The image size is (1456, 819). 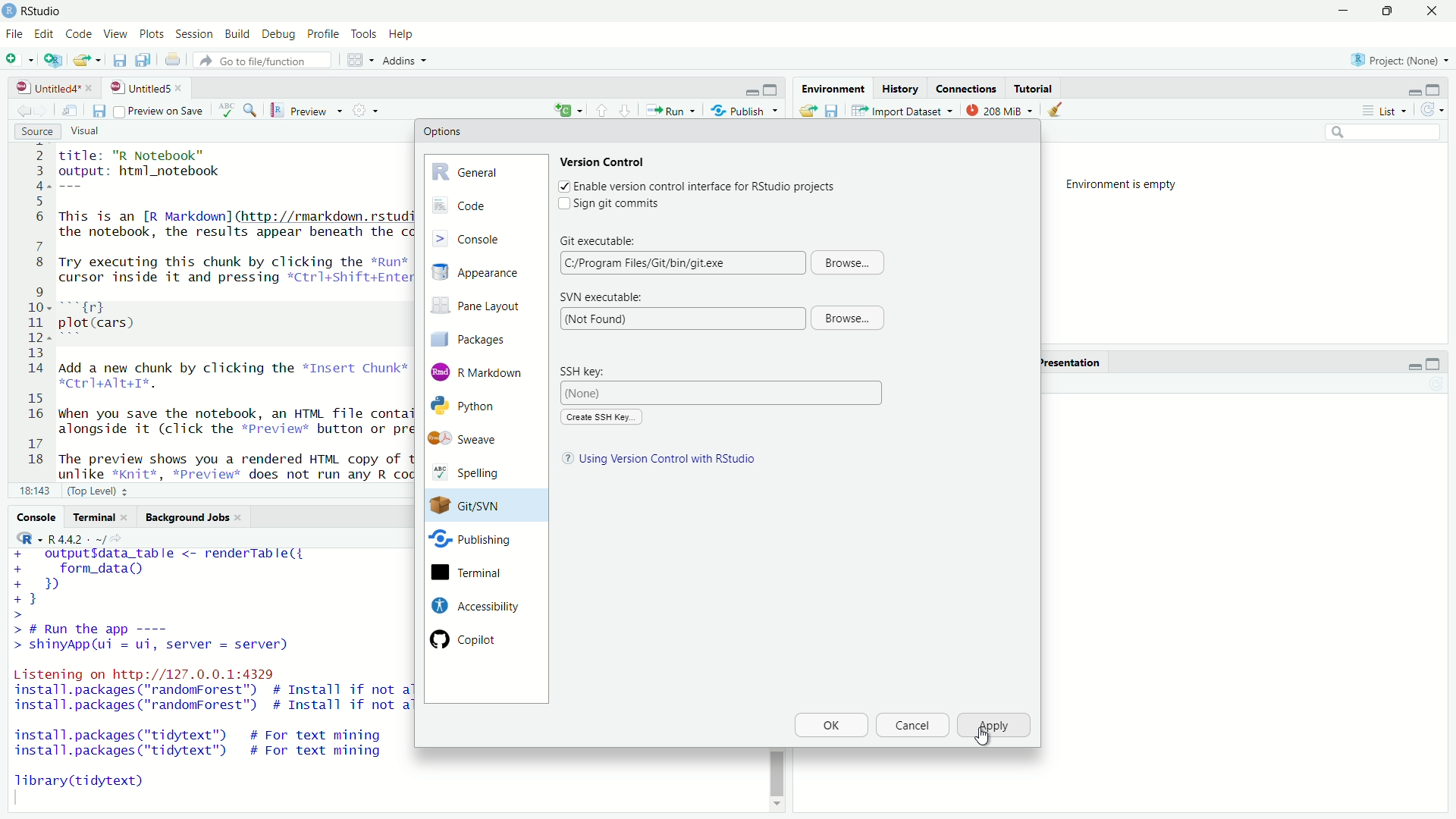 I want to click on close, so click(x=182, y=88).